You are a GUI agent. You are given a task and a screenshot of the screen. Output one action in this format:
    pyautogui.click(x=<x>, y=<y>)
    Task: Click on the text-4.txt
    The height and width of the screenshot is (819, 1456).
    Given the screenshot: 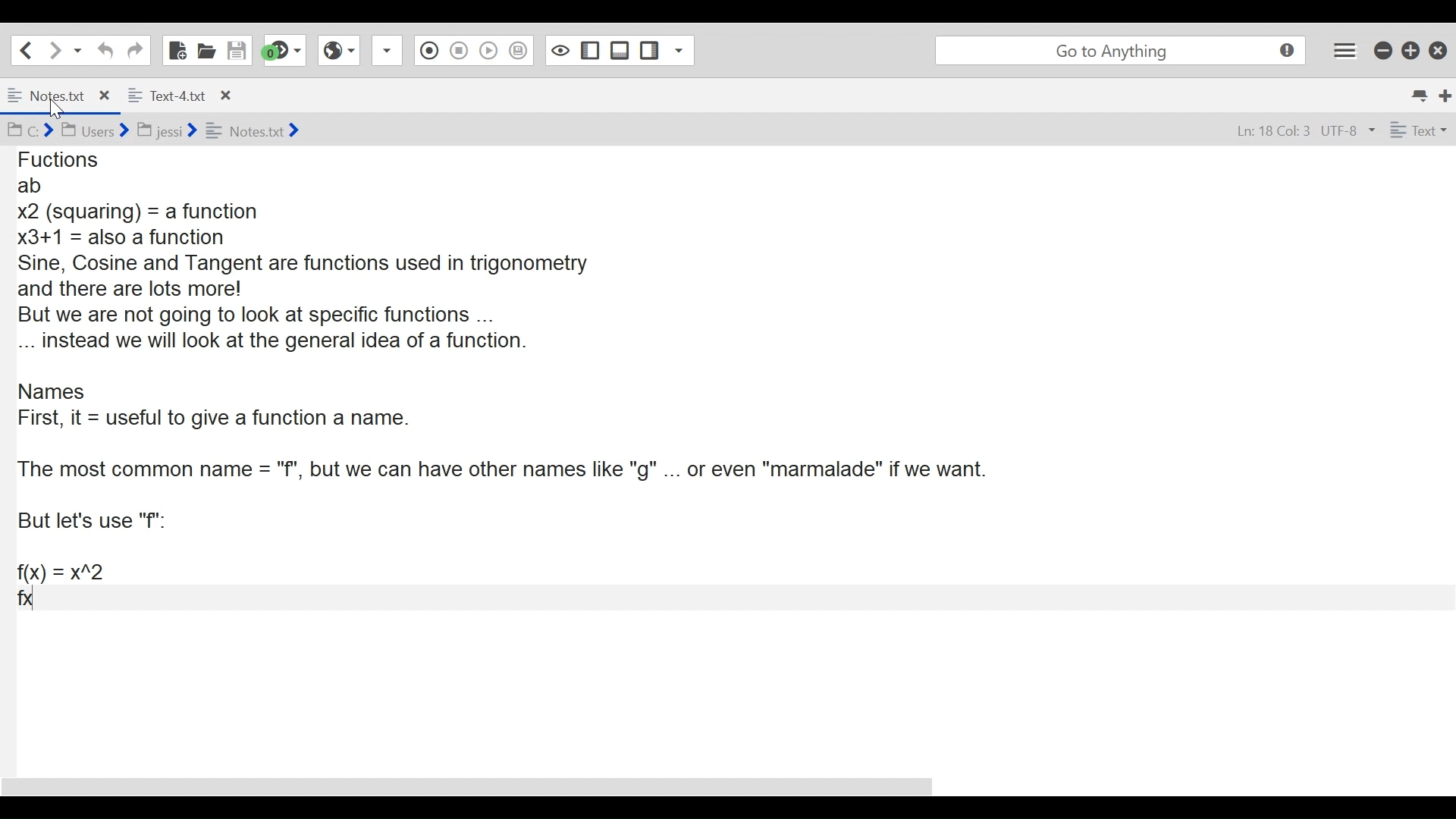 What is the action you would take?
    pyautogui.click(x=167, y=93)
    